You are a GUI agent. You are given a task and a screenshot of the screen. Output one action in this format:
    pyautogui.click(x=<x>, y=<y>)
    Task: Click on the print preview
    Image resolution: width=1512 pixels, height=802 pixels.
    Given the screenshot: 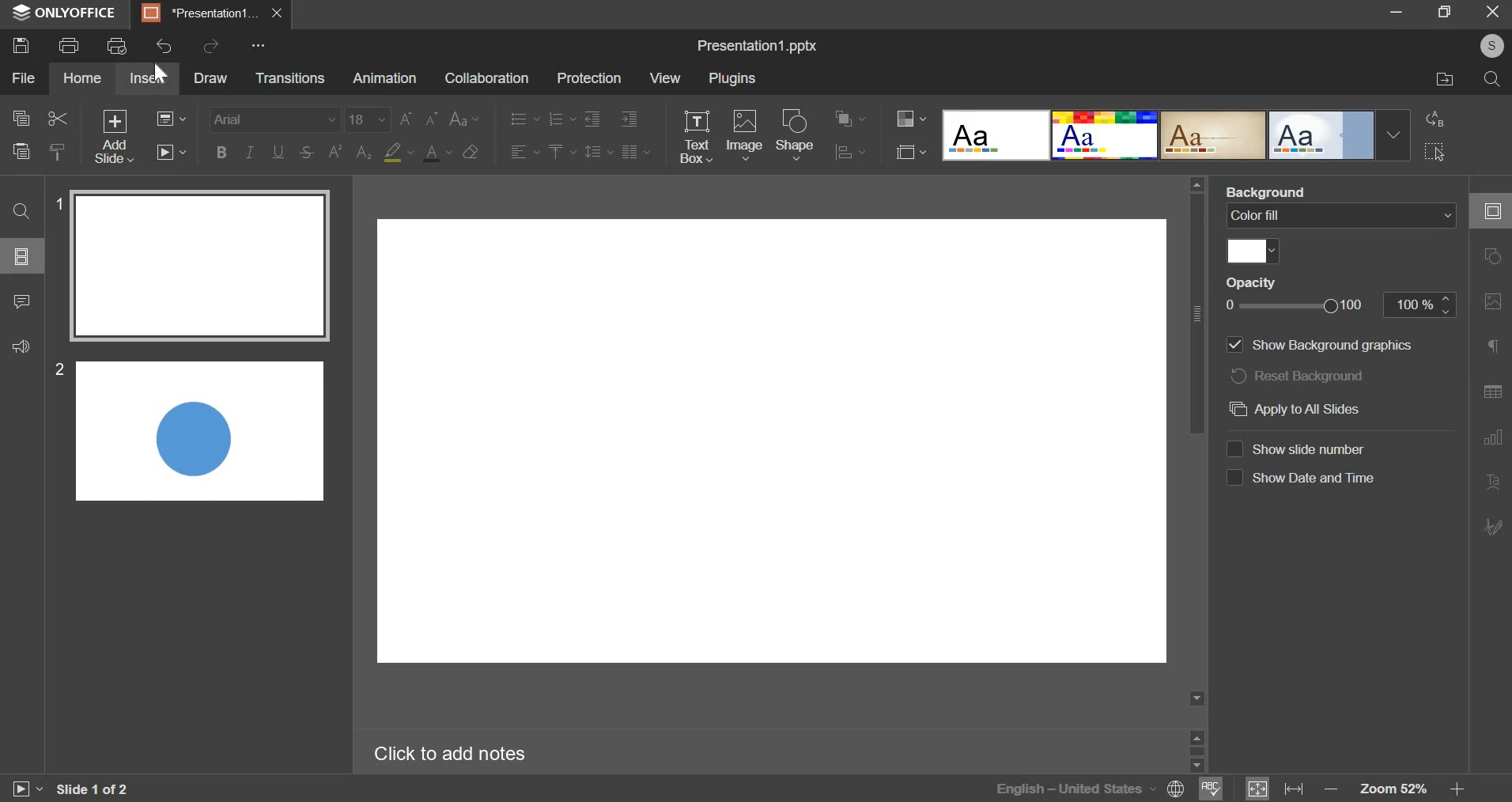 What is the action you would take?
    pyautogui.click(x=117, y=44)
    